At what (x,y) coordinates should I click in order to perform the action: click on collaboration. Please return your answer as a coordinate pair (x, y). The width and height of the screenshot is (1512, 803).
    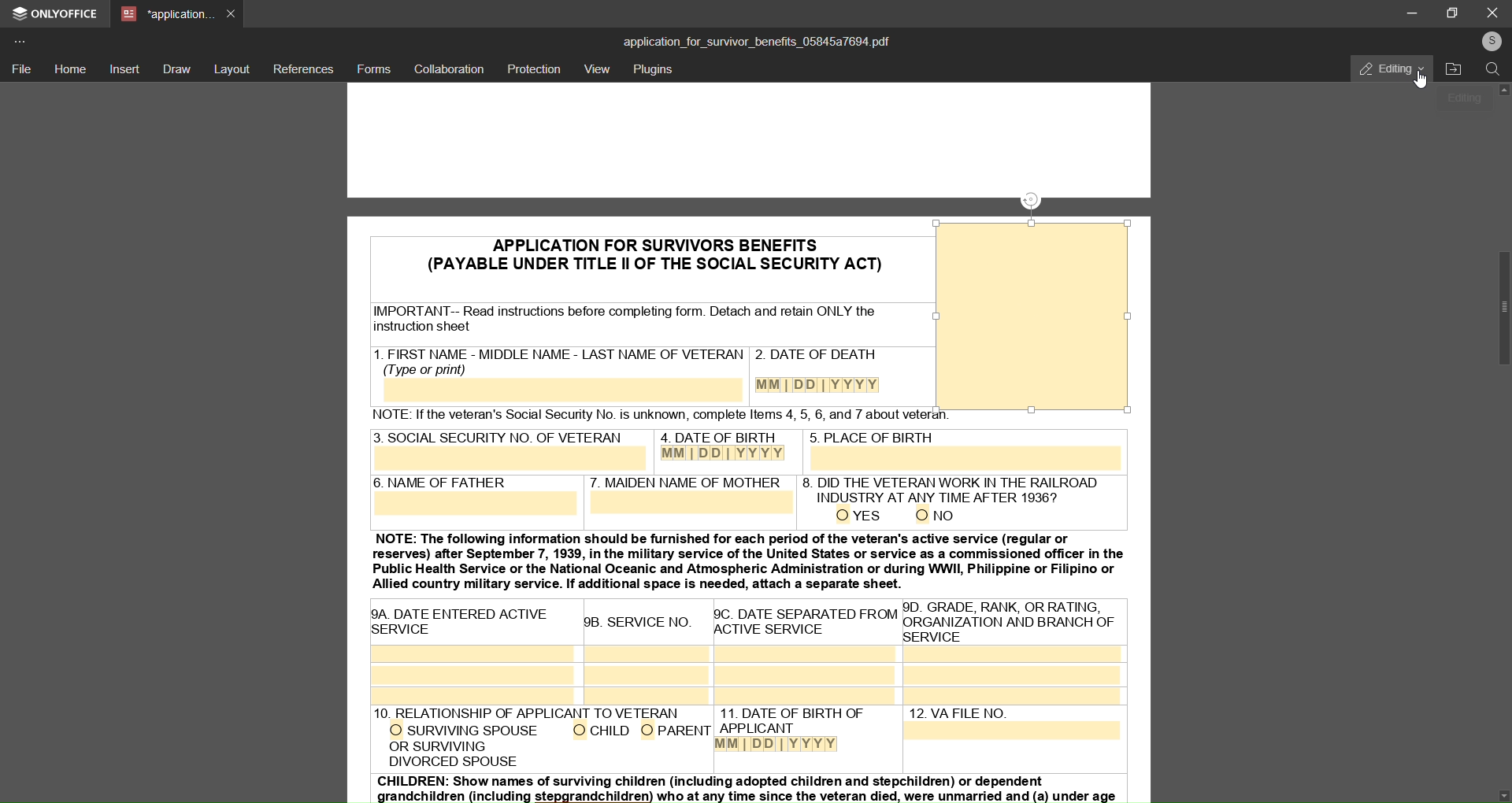
    Looking at the image, I should click on (448, 69).